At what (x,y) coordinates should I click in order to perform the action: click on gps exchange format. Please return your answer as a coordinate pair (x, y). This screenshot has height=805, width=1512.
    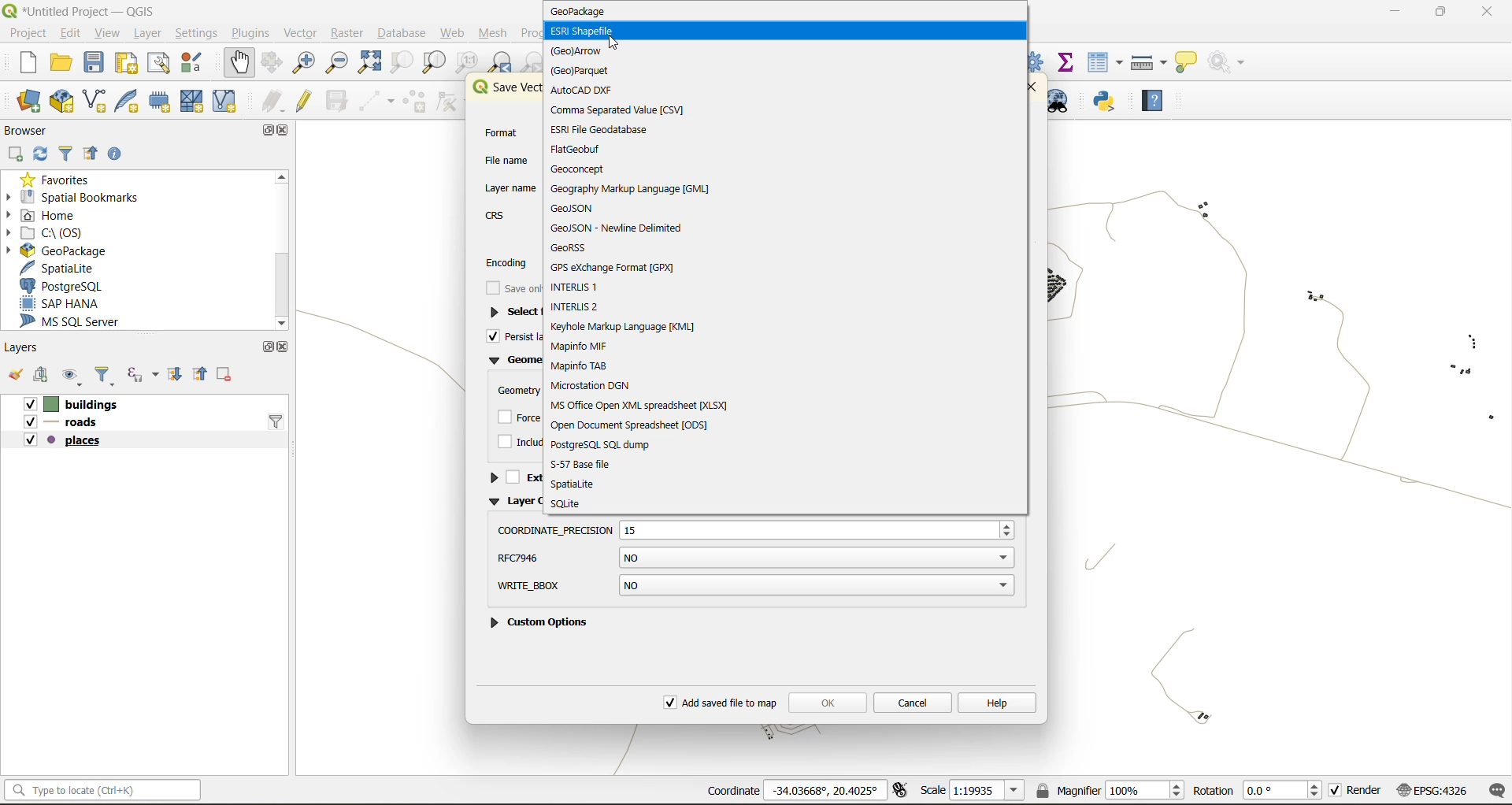
    Looking at the image, I should click on (616, 267).